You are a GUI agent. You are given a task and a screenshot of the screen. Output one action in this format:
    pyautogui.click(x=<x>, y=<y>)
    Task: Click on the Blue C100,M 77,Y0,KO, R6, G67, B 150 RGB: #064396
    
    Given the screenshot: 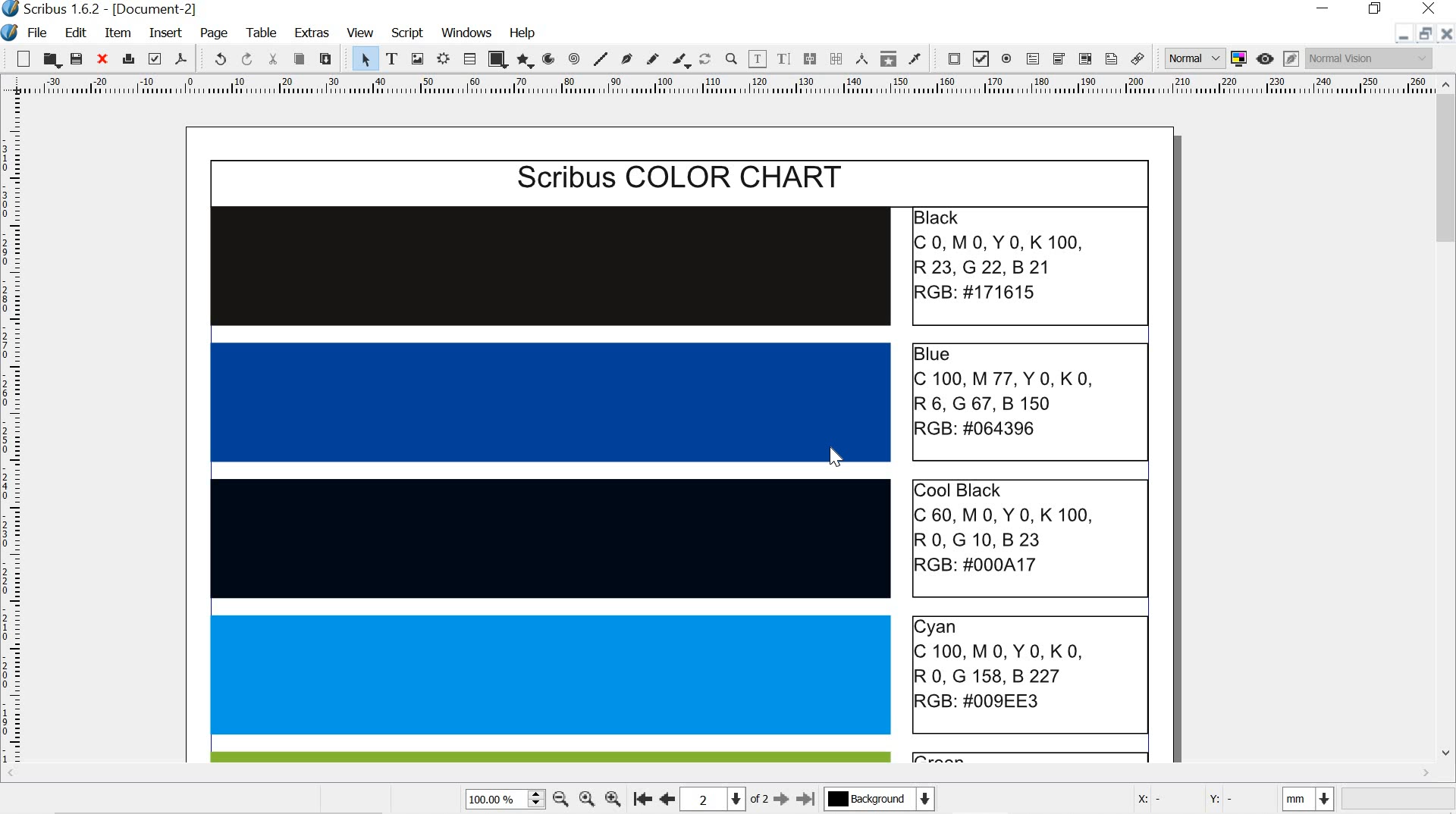 What is the action you would take?
    pyautogui.click(x=1028, y=400)
    